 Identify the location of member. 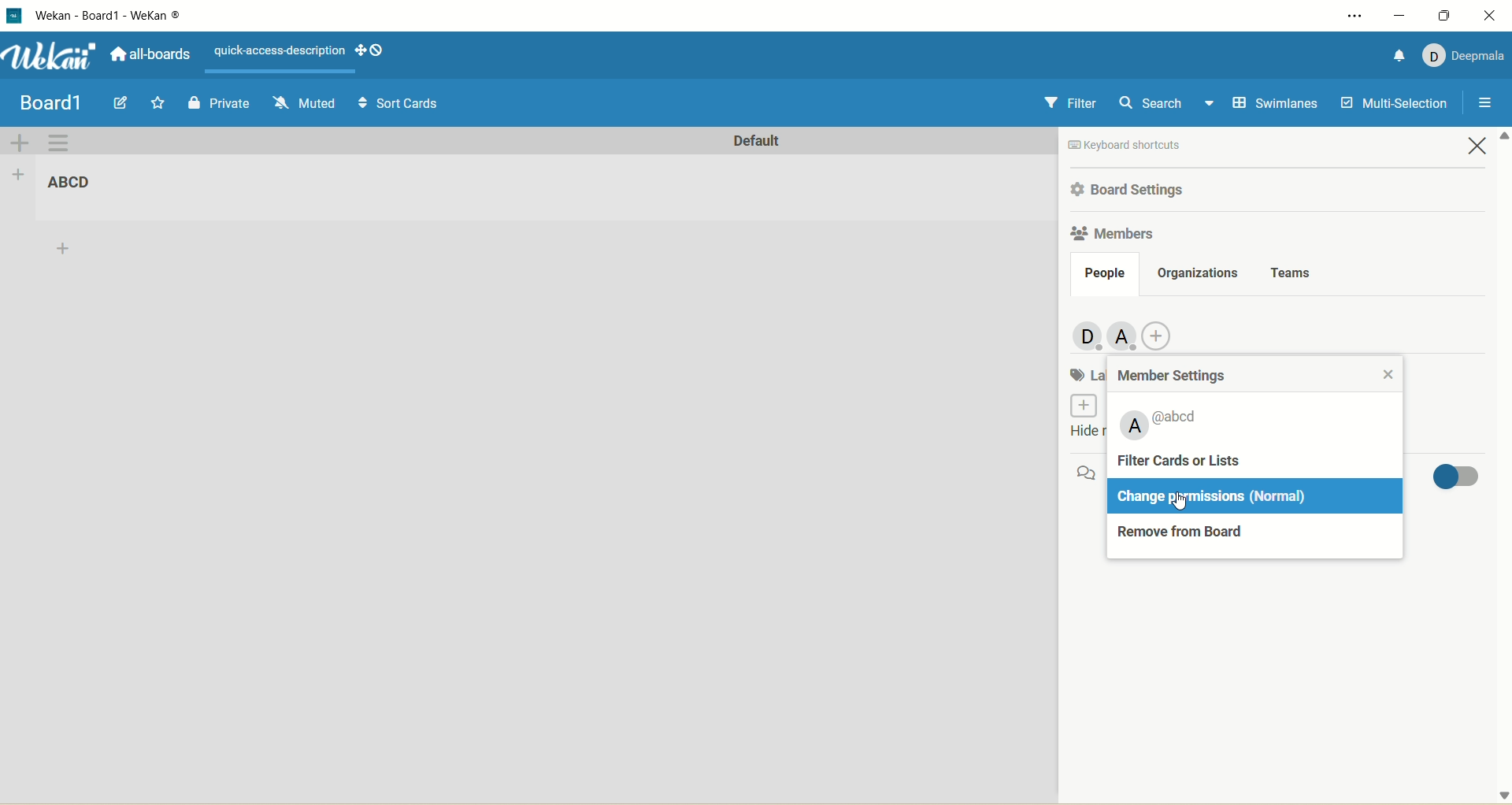
(1125, 338).